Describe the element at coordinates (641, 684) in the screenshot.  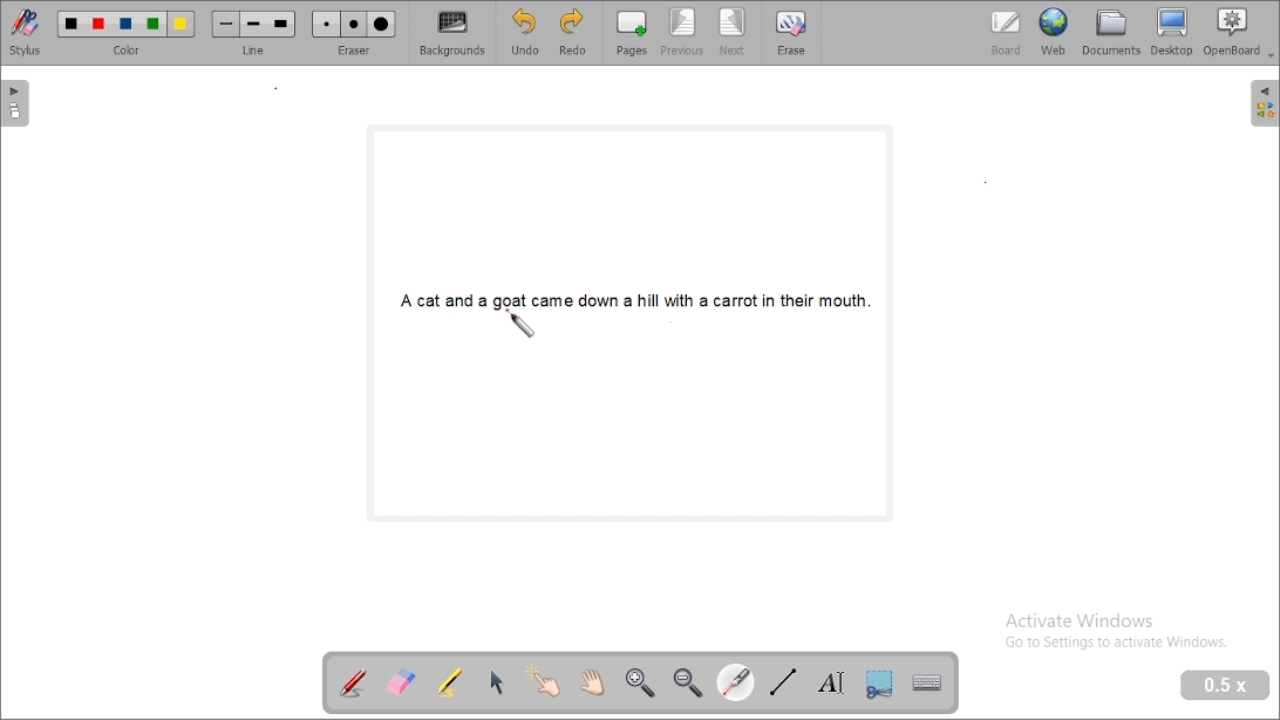
I see `zoom in` at that location.